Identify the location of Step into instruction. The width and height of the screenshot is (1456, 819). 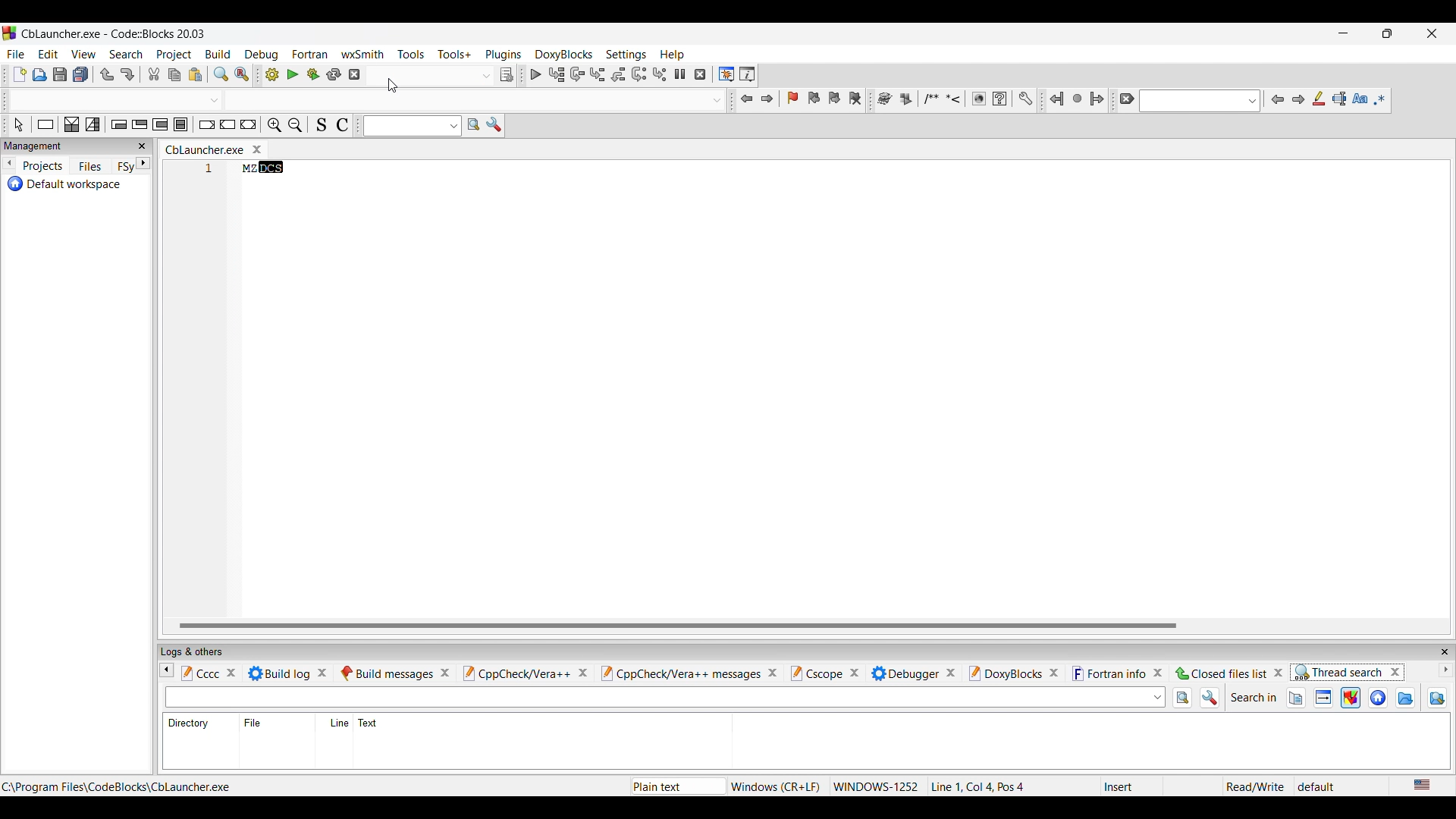
(660, 74).